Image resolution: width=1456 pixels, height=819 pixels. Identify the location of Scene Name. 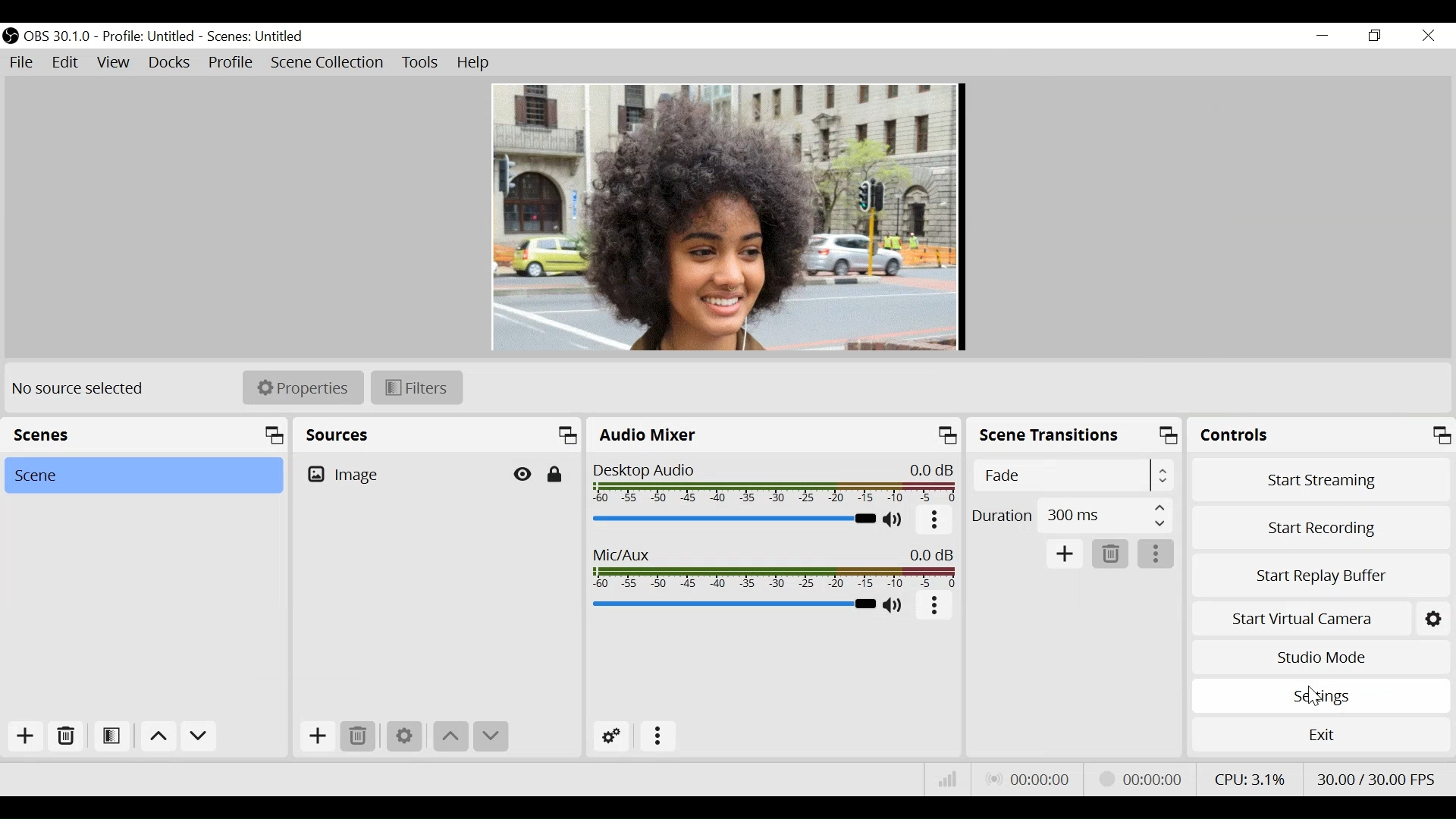
(260, 37).